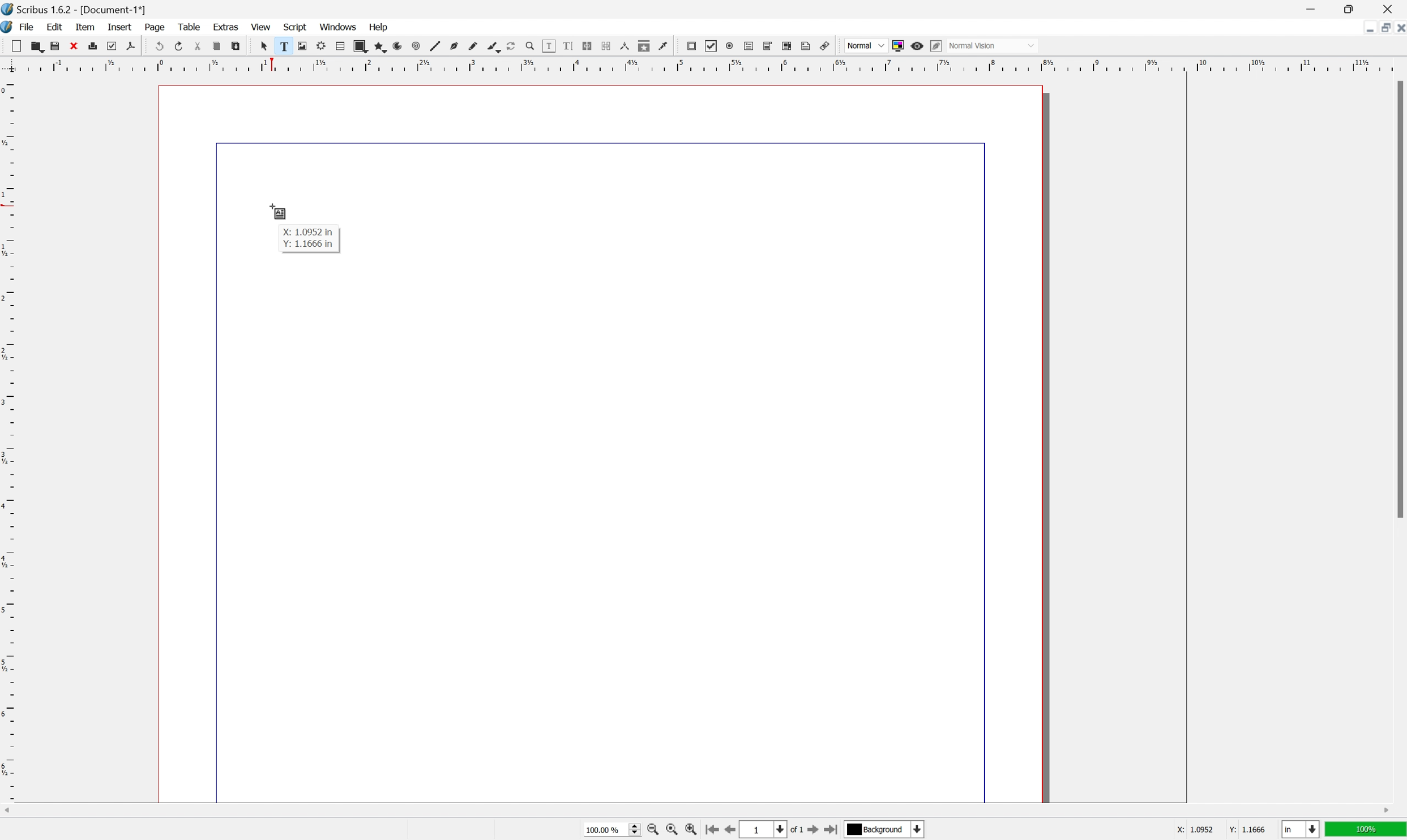 This screenshot has width=1407, height=840. What do you see at coordinates (74, 45) in the screenshot?
I see `close` at bounding box center [74, 45].